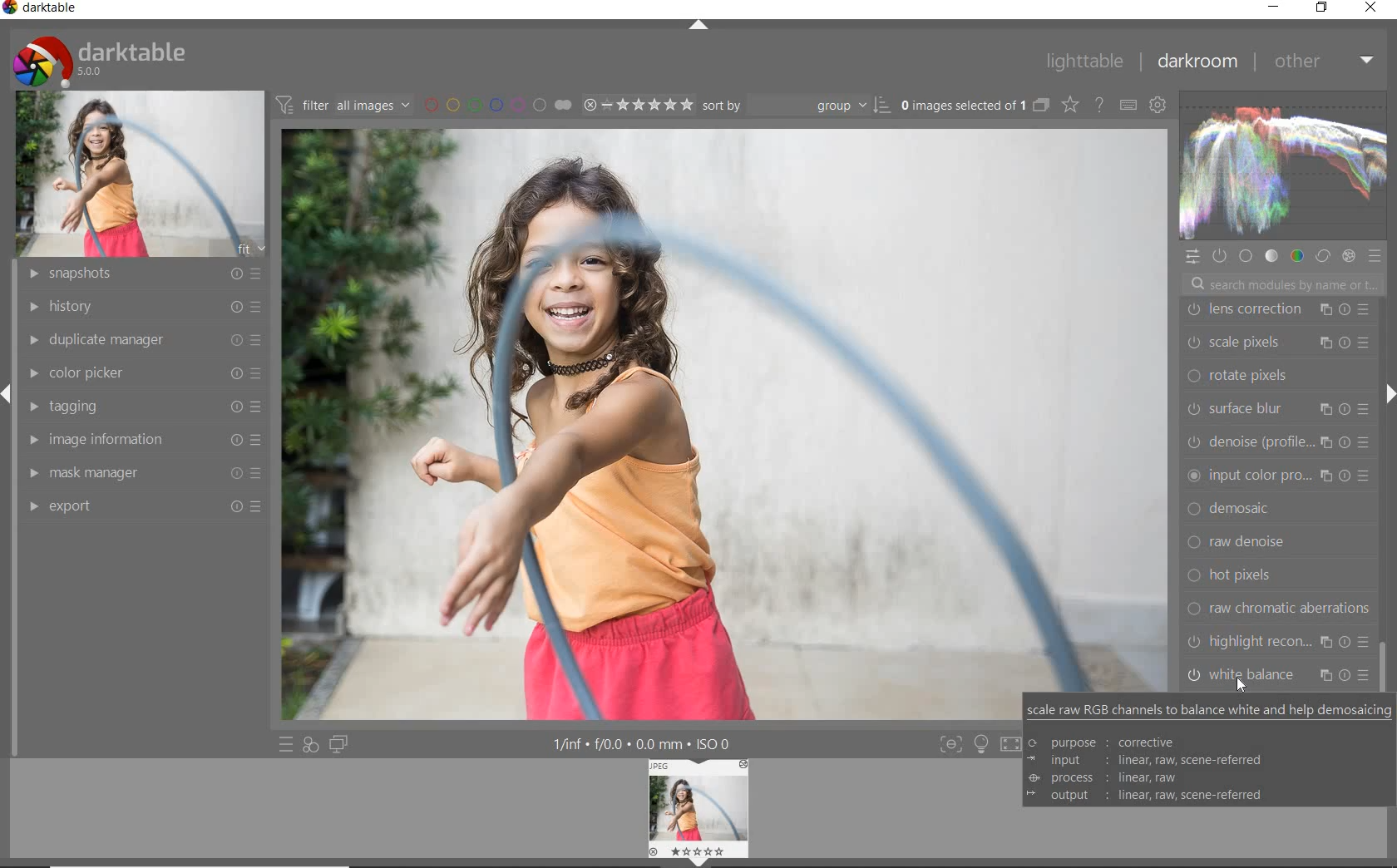  What do you see at coordinates (1221, 257) in the screenshot?
I see `show only active module` at bounding box center [1221, 257].